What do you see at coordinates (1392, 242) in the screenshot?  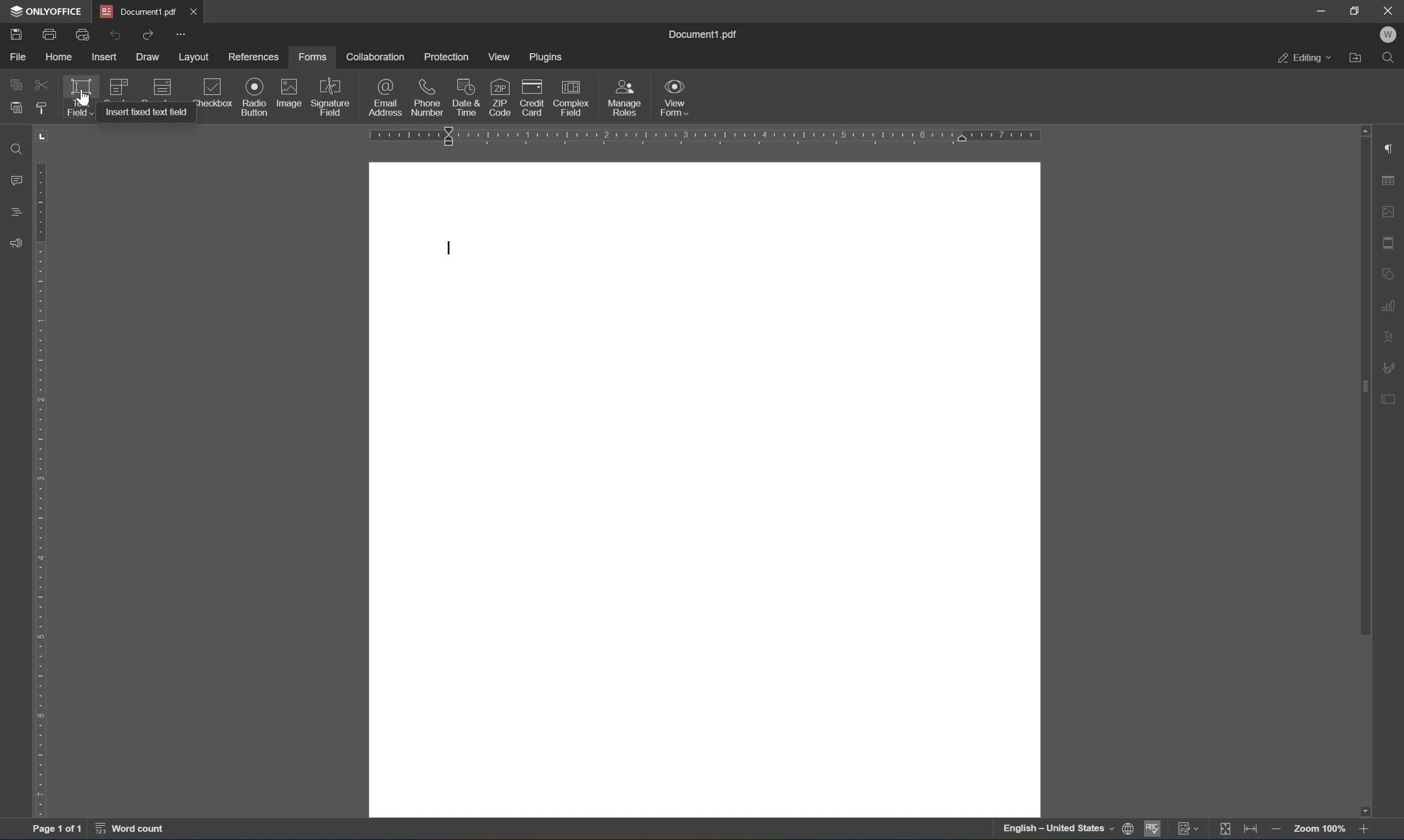 I see `header and footer settings` at bounding box center [1392, 242].